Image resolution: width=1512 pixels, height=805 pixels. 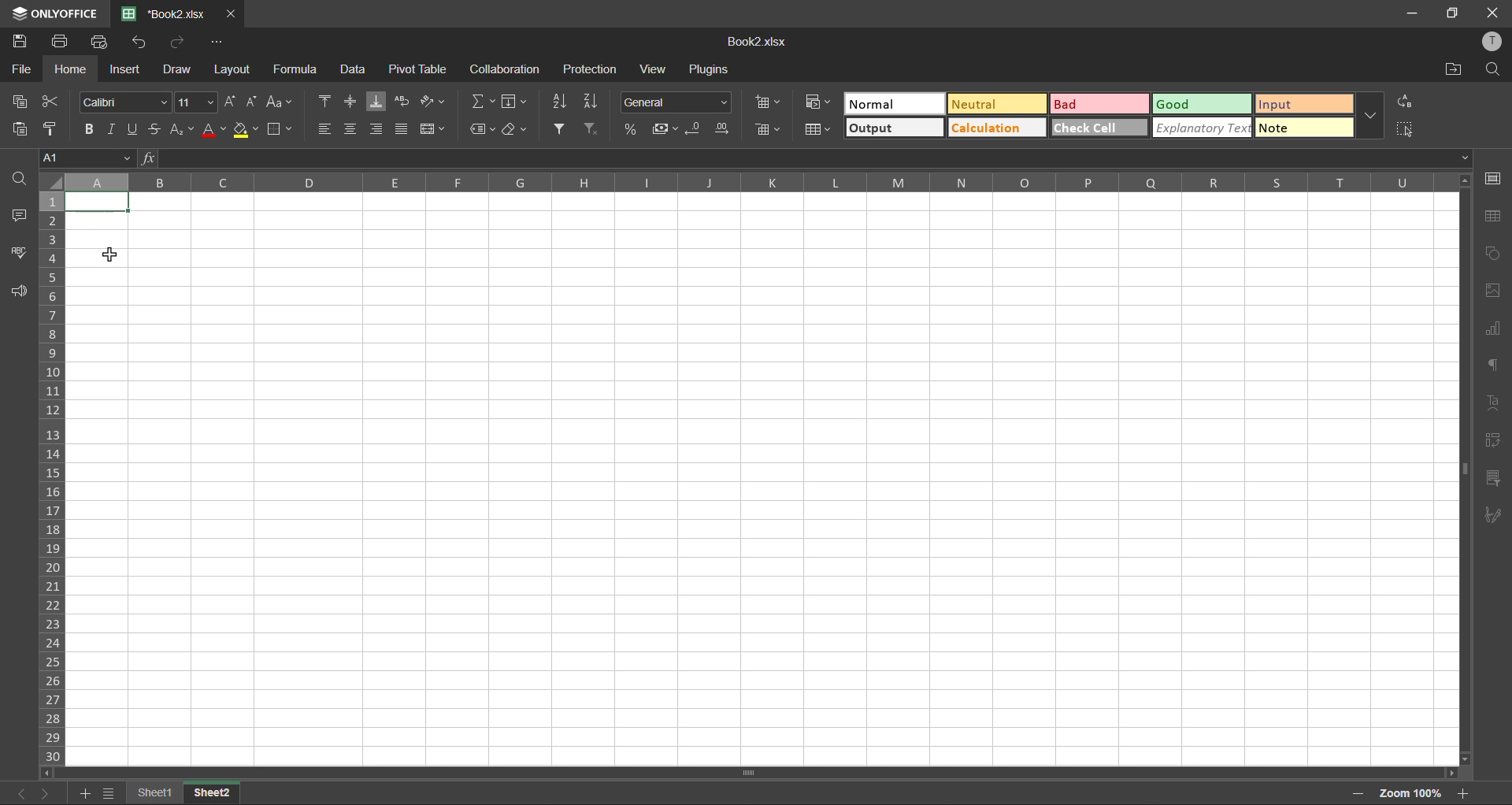 I want to click on row numbers, so click(x=54, y=478).